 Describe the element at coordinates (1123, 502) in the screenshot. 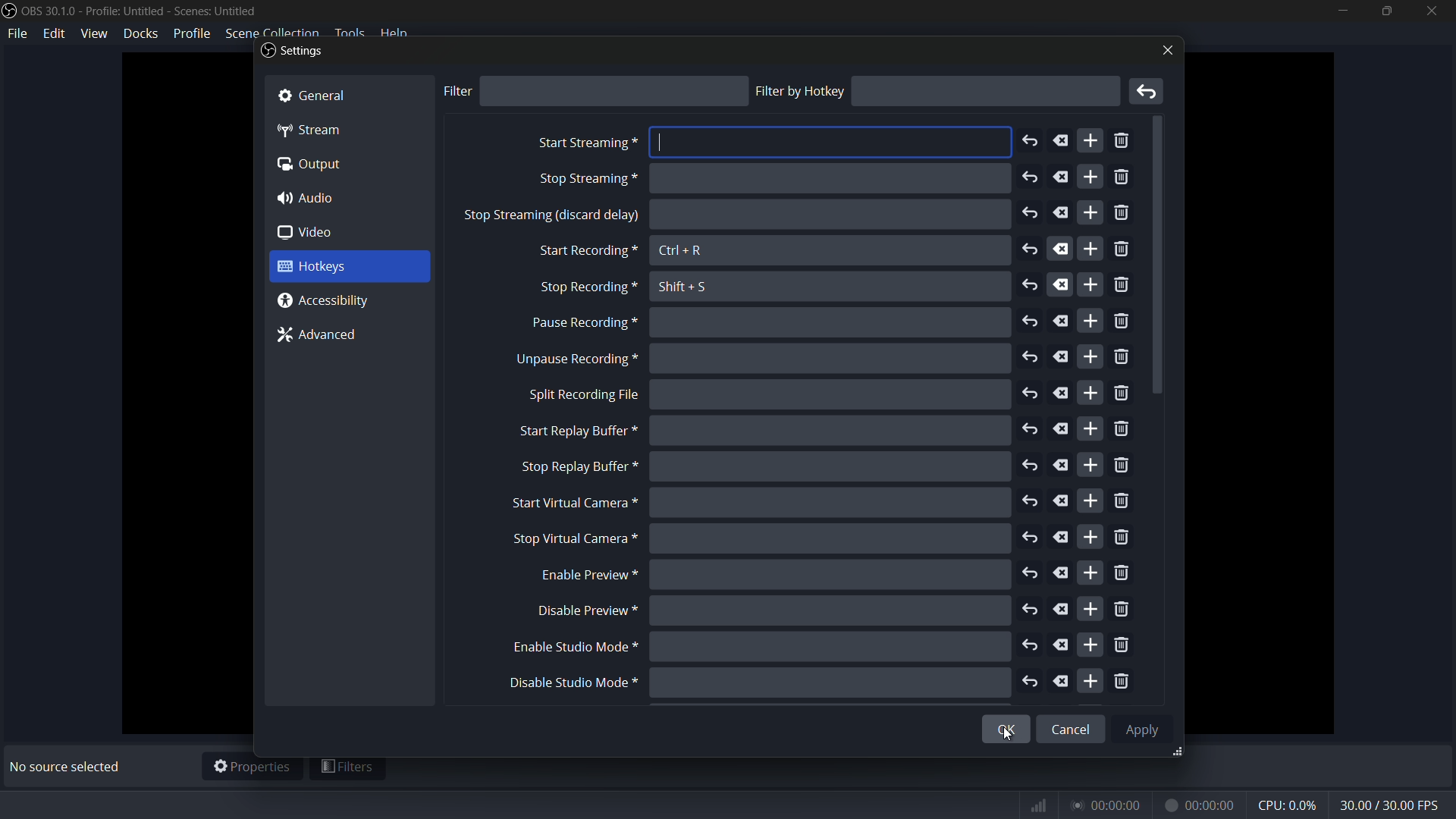

I see `remove` at that location.